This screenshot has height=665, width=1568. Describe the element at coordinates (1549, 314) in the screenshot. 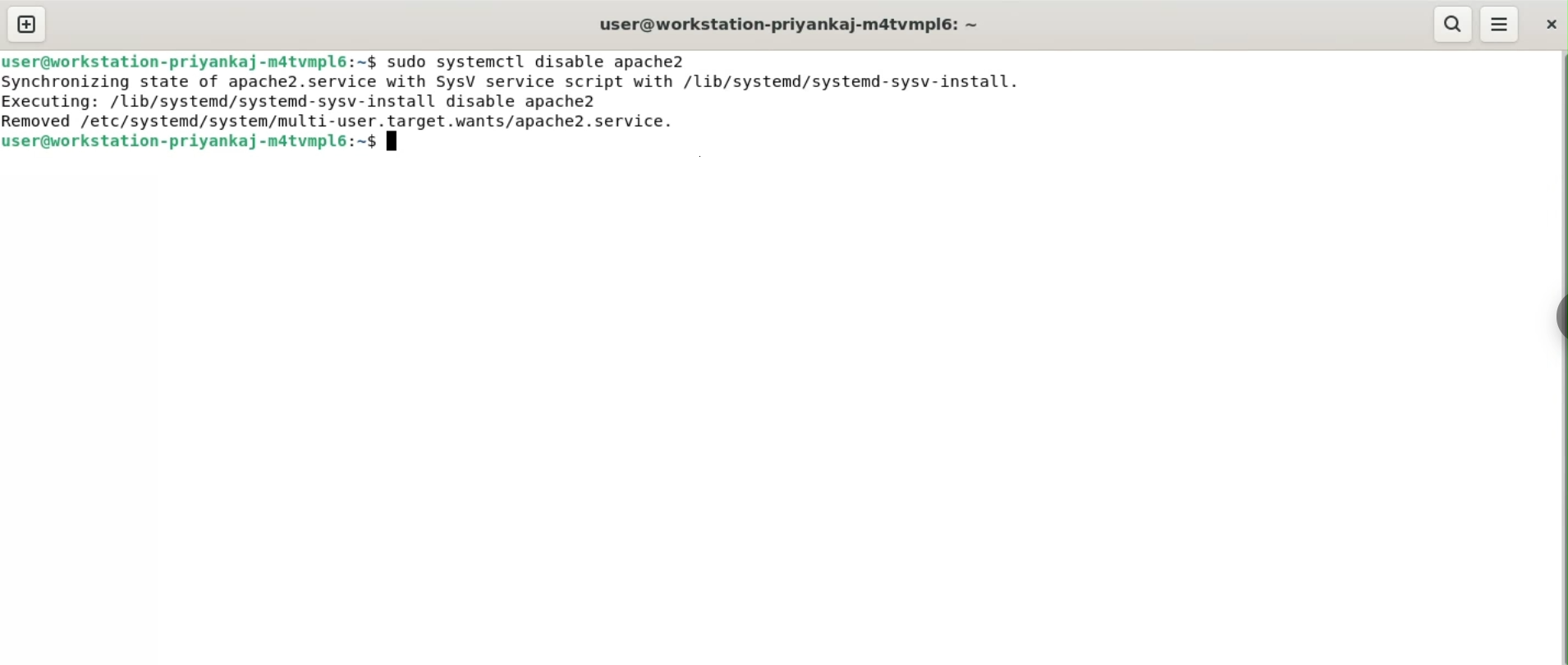

I see `Toggle Button` at that location.